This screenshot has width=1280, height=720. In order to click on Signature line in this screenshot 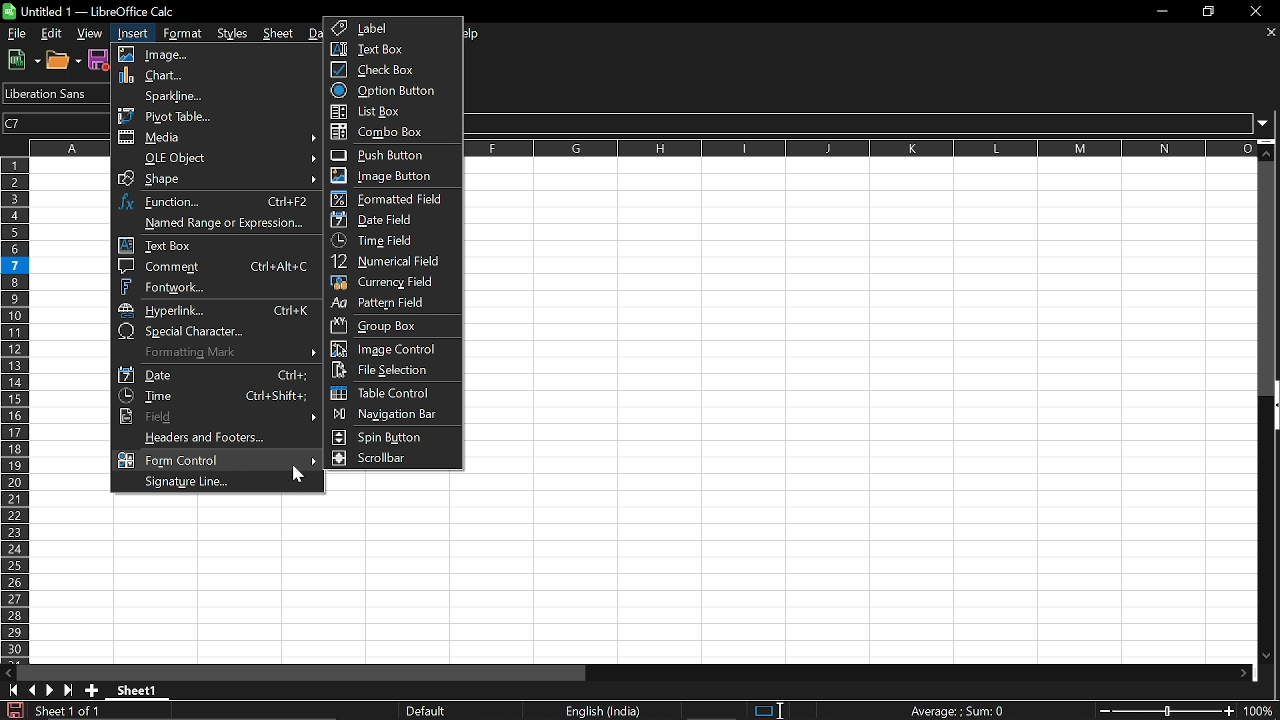, I will do `click(214, 483)`.